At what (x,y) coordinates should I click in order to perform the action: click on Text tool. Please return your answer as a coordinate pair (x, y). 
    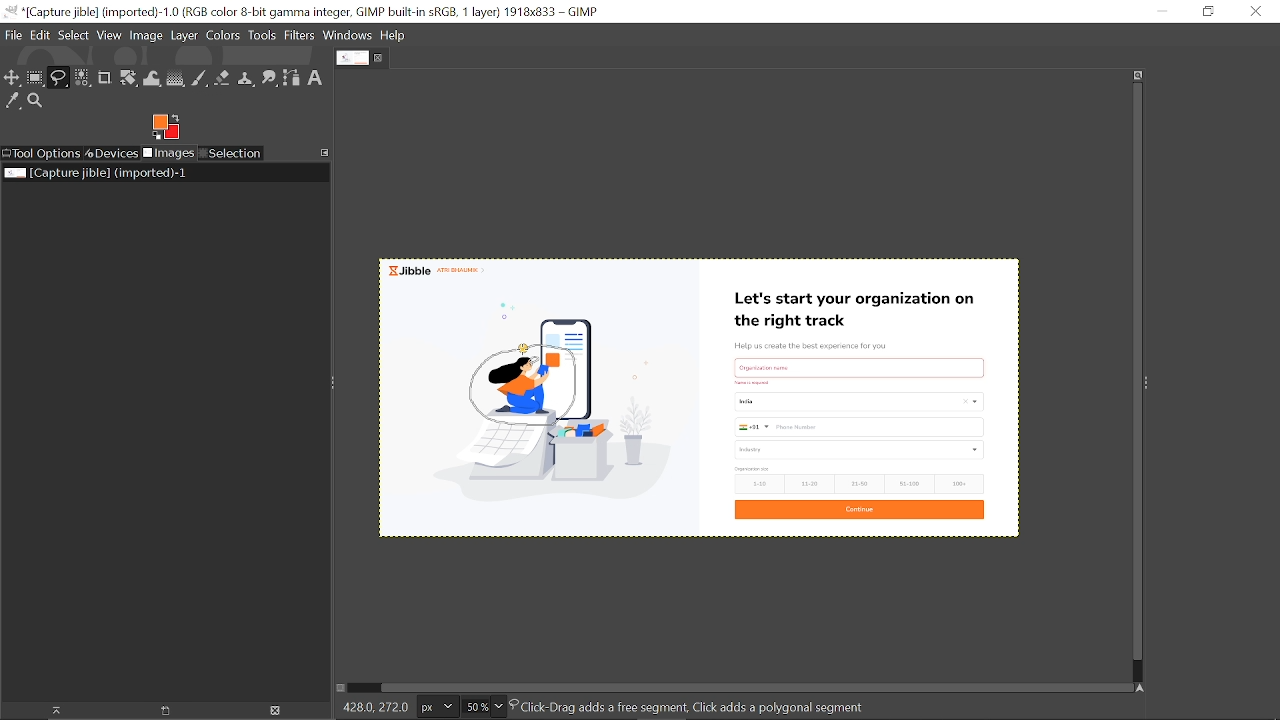
    Looking at the image, I should click on (316, 78).